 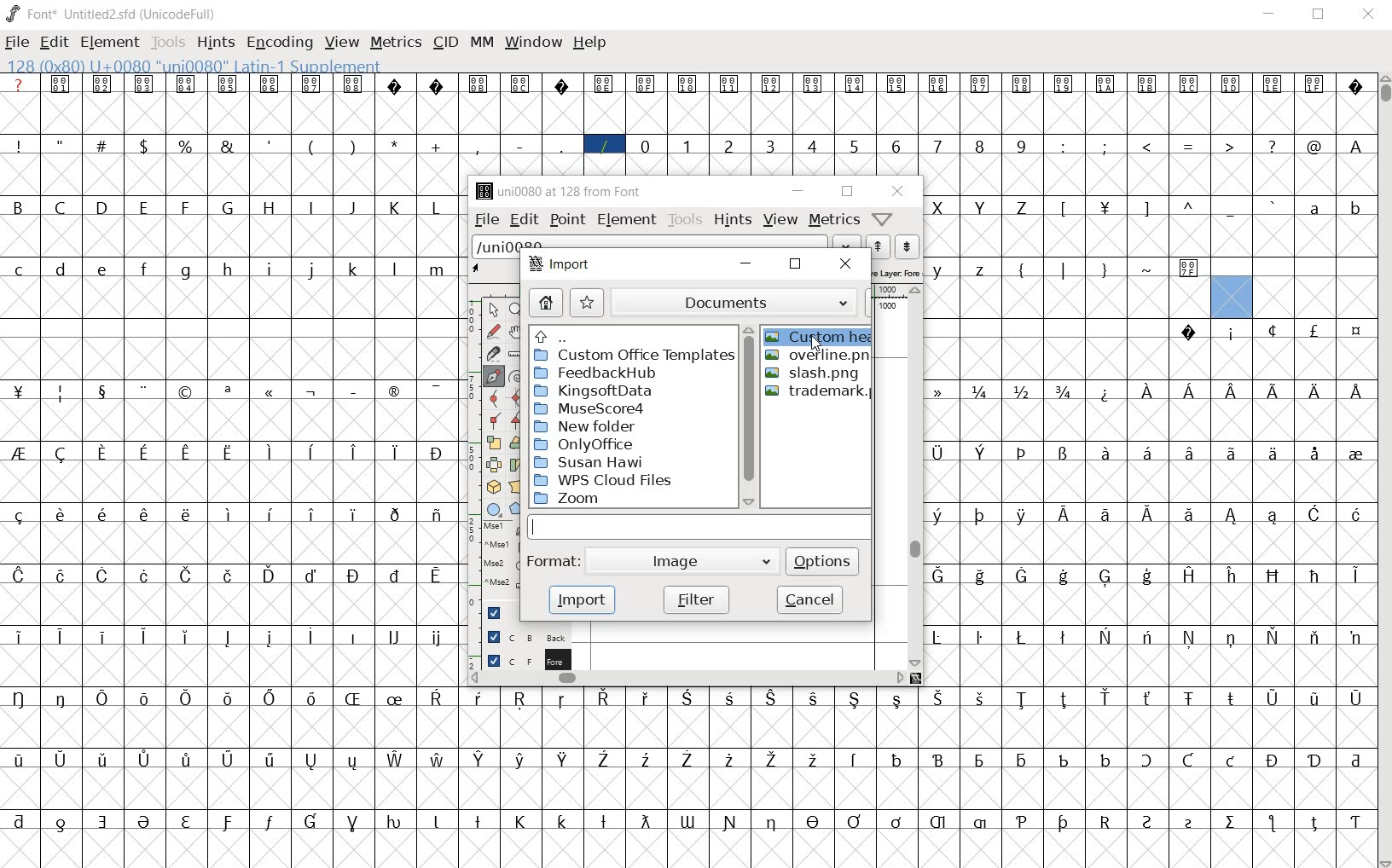 I want to click on glyph, so click(x=519, y=822).